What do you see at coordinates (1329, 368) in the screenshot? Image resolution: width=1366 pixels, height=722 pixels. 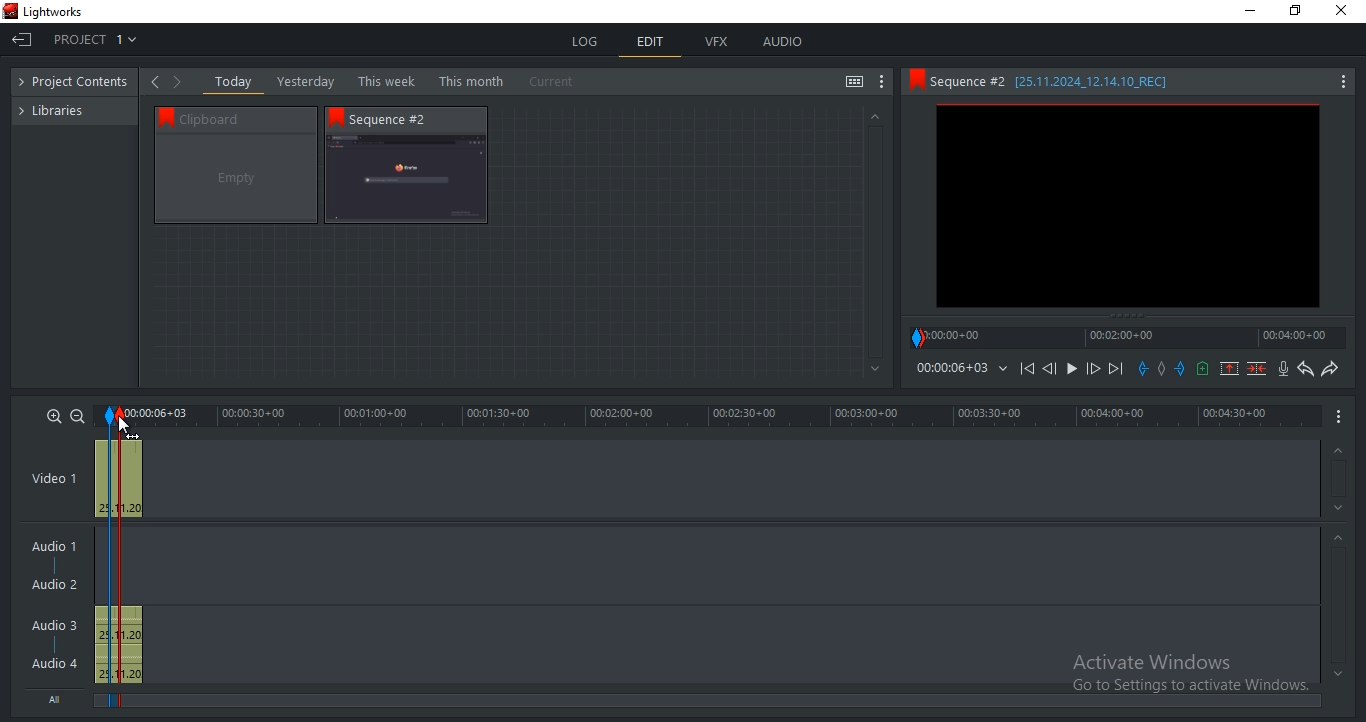 I see `redo` at bounding box center [1329, 368].